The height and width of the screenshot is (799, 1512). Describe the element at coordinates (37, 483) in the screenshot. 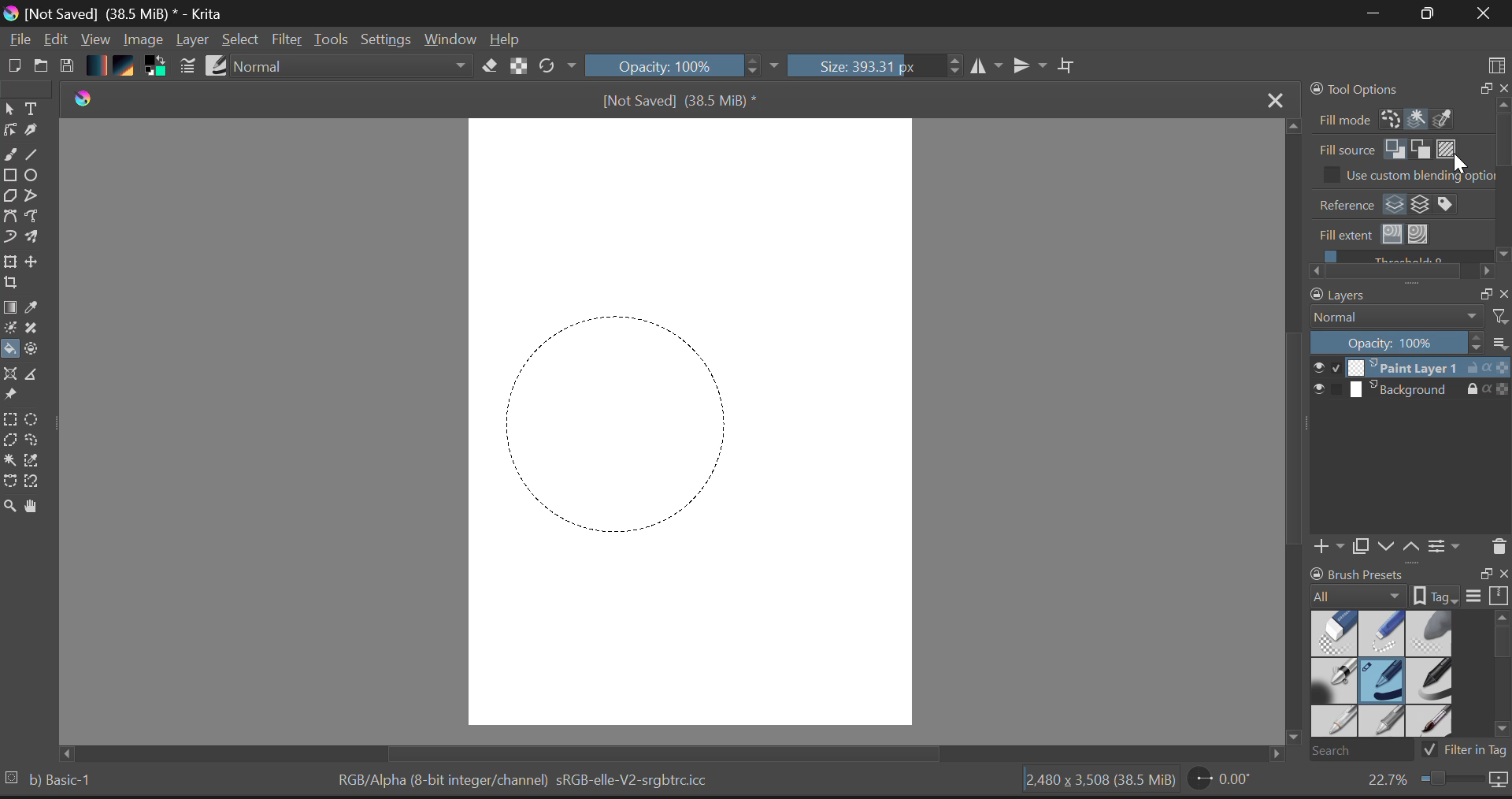

I see `Magnetic Selection` at that location.